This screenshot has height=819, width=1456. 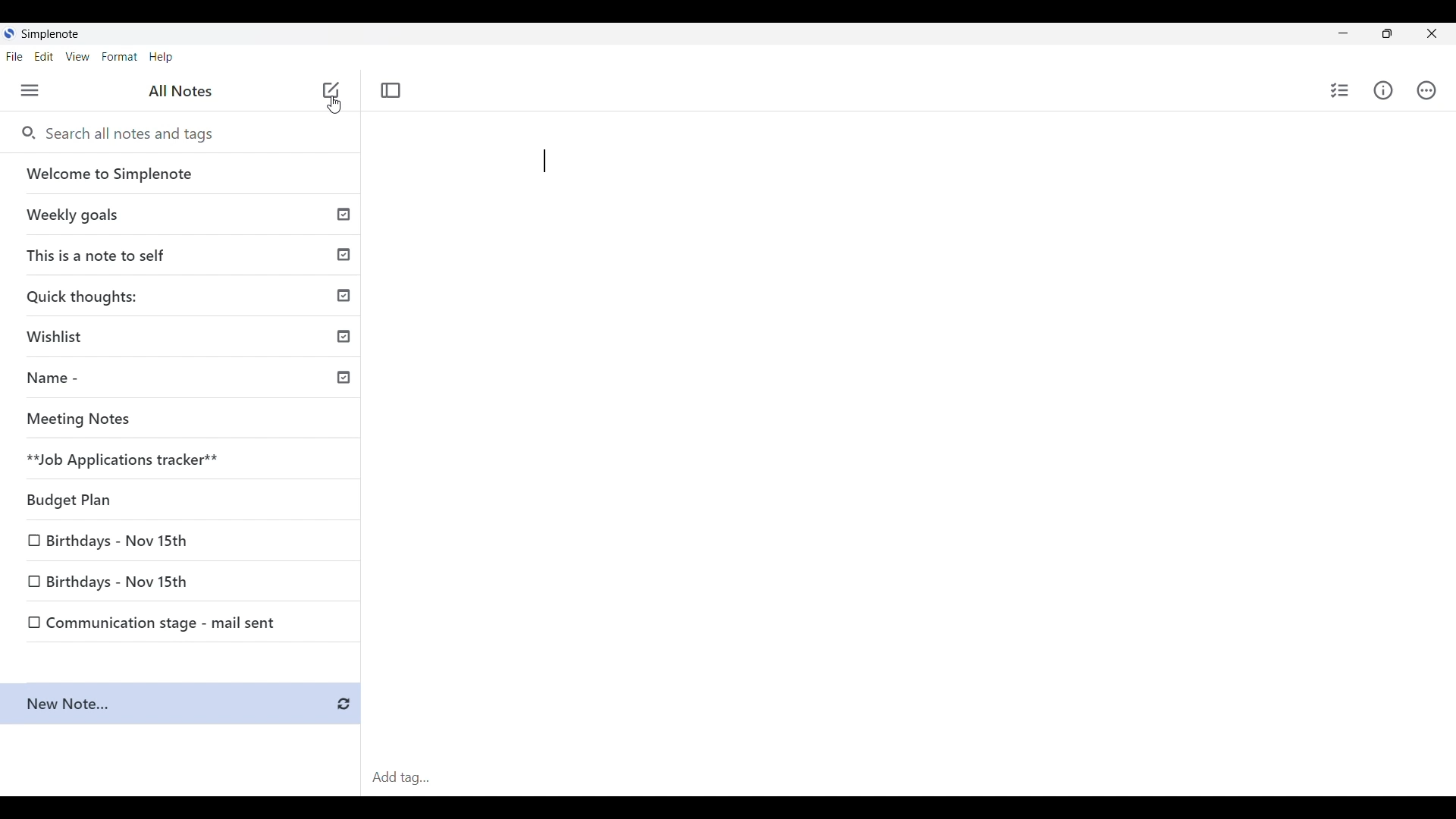 What do you see at coordinates (331, 89) in the screenshot?
I see `Click to add note` at bounding box center [331, 89].